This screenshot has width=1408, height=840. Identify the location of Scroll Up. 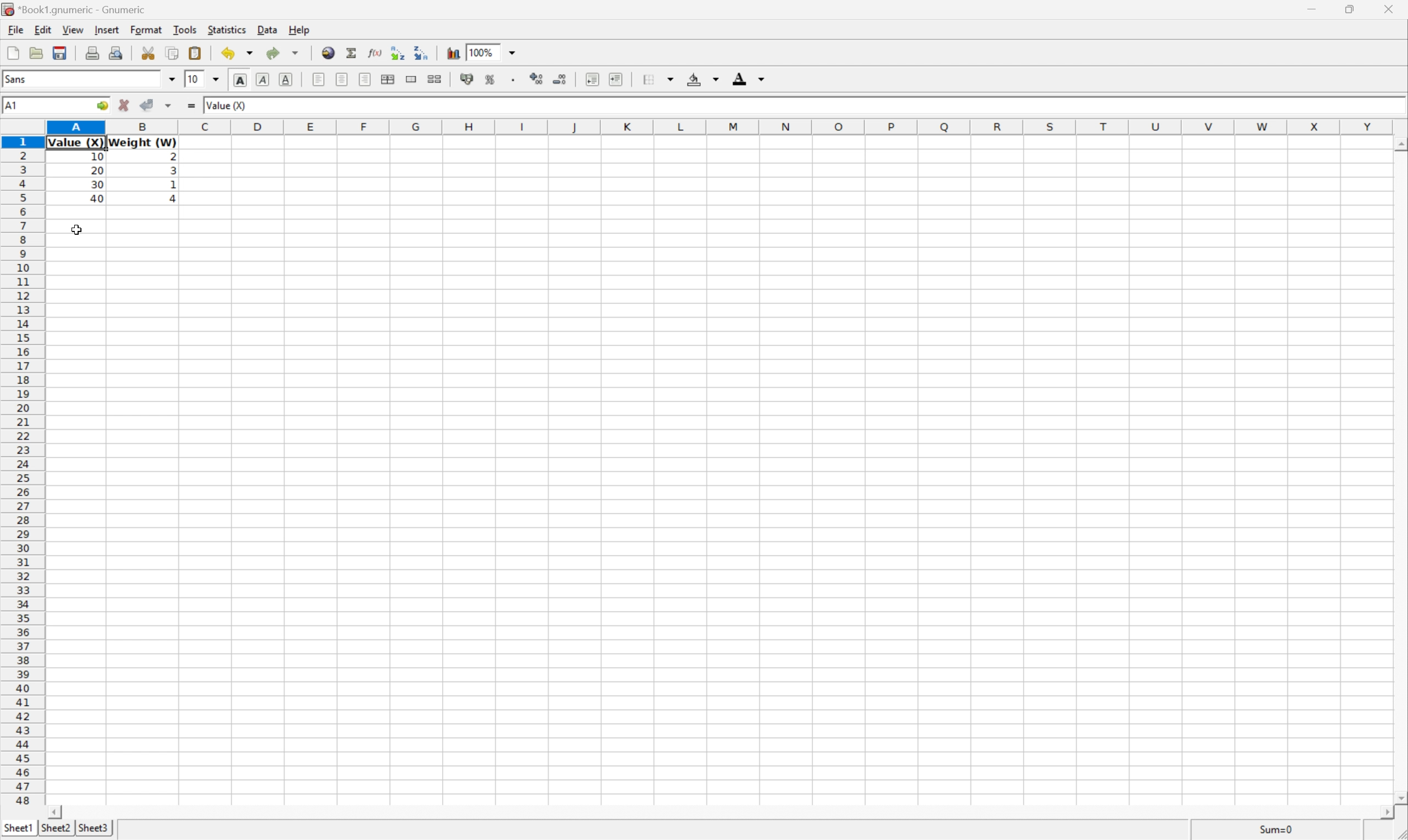
(1399, 144).